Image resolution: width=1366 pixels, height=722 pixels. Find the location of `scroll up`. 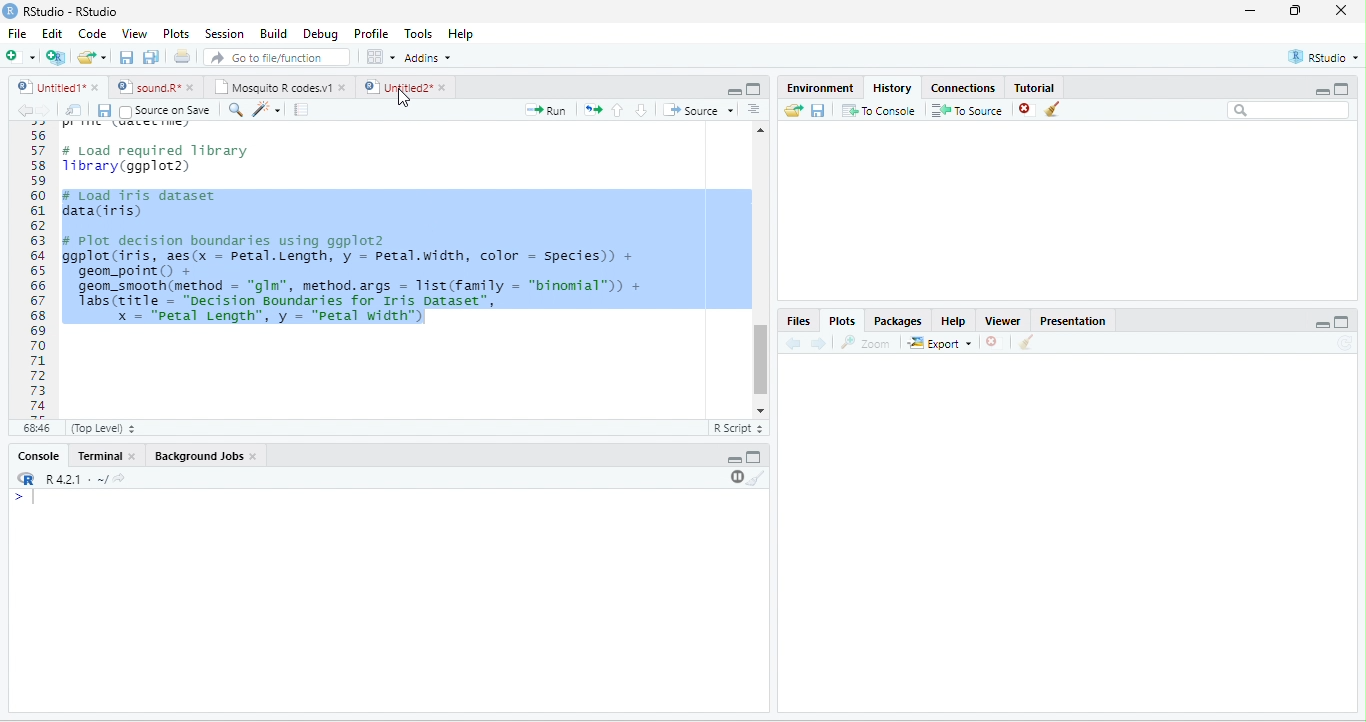

scroll up is located at coordinates (761, 130).